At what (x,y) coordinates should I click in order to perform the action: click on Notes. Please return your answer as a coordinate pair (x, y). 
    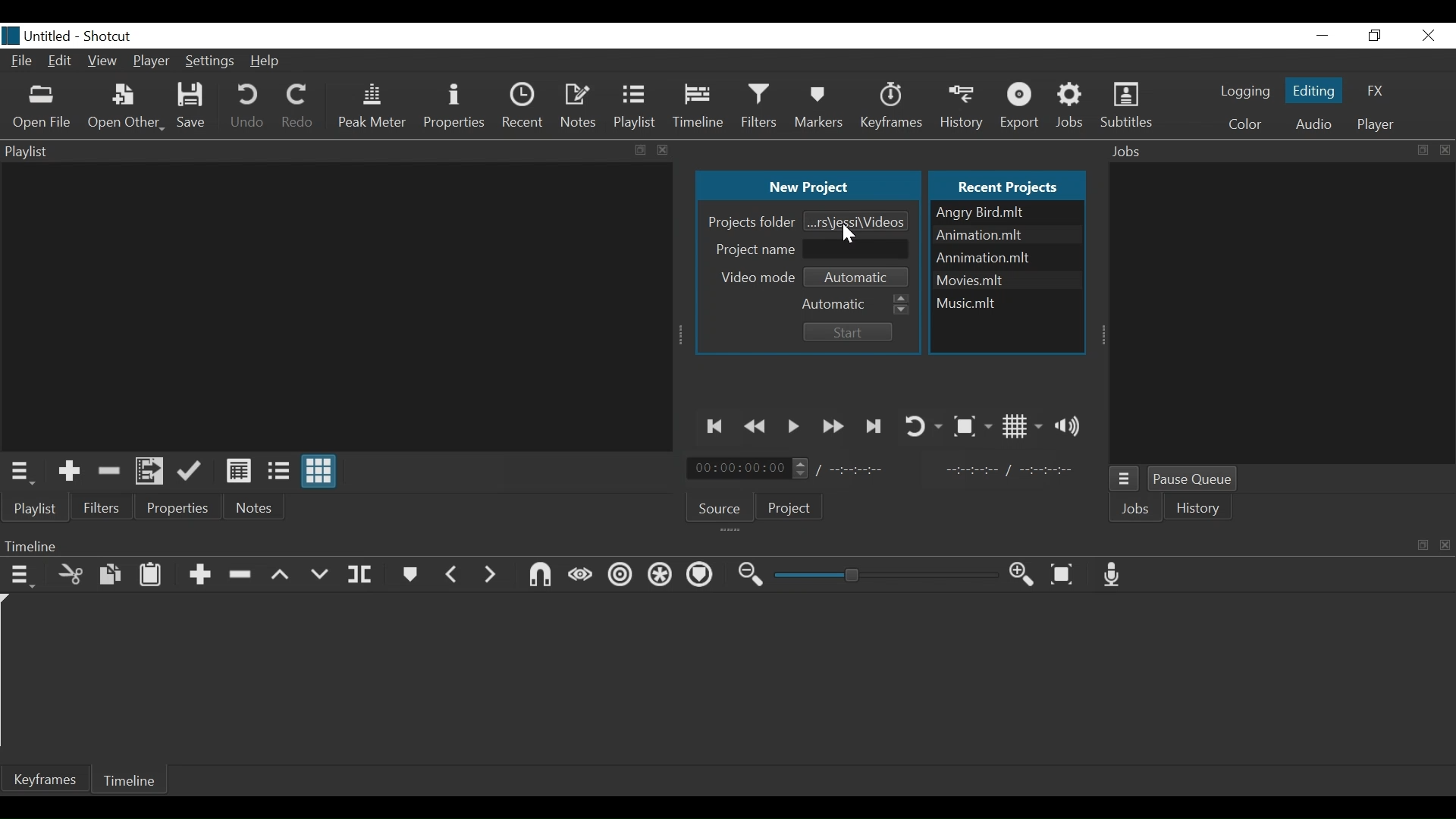
    Looking at the image, I should click on (579, 104).